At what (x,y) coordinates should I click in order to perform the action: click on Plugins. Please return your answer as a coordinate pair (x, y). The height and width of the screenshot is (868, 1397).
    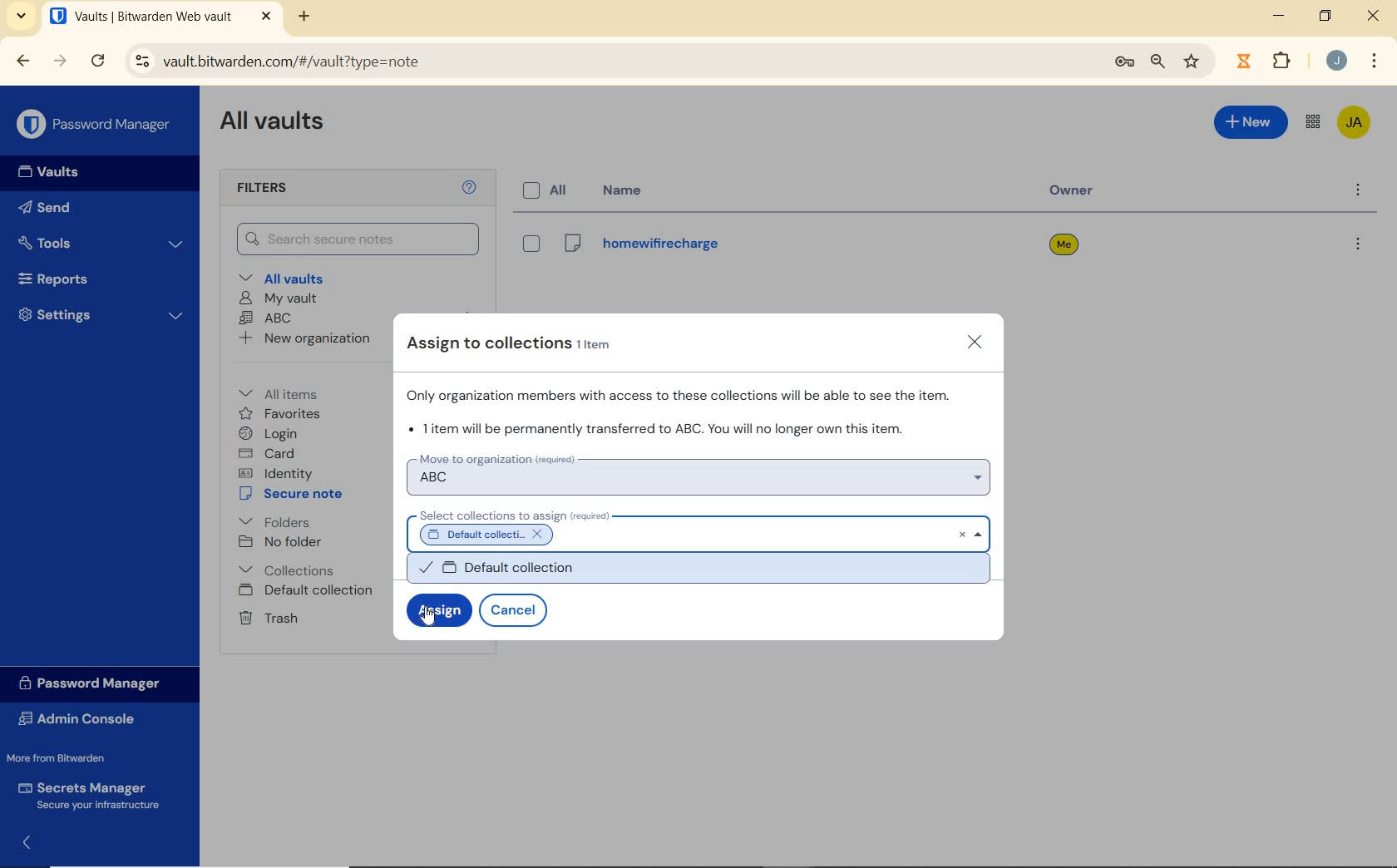
    Looking at the image, I should click on (1285, 59).